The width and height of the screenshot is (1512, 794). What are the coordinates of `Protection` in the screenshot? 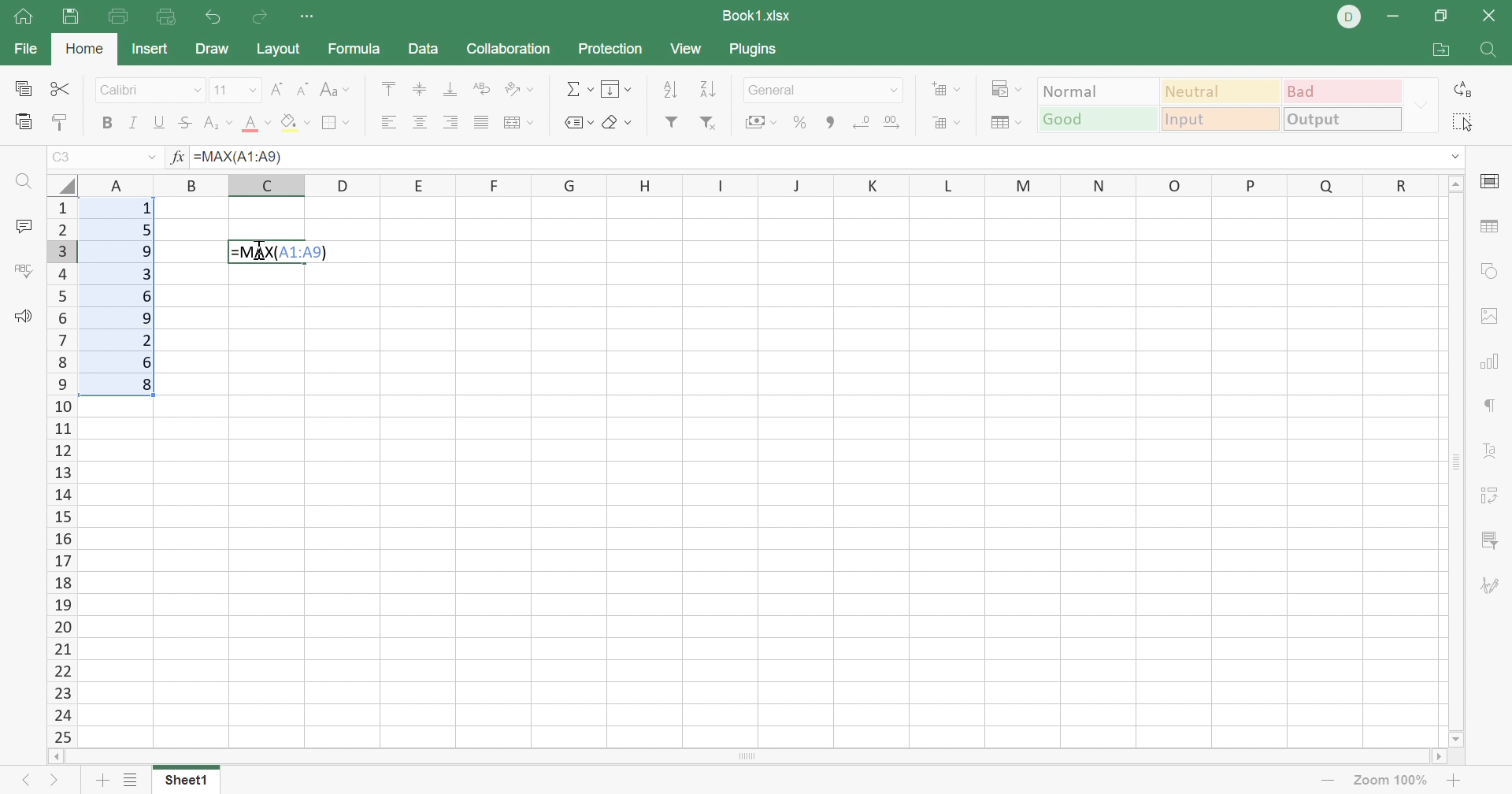 It's located at (613, 50).